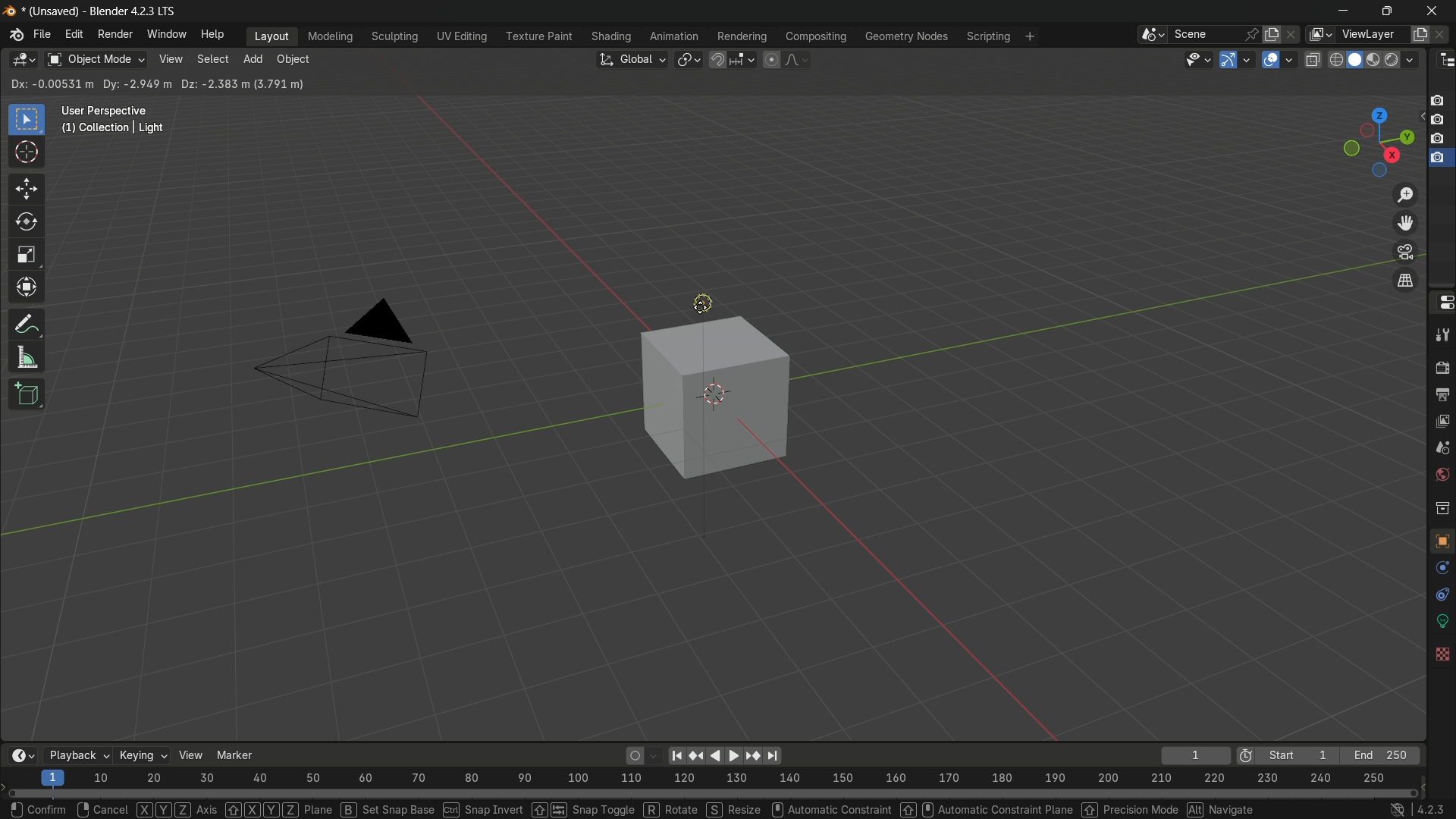 The height and width of the screenshot is (819, 1456). I want to click on select, so click(211, 61).